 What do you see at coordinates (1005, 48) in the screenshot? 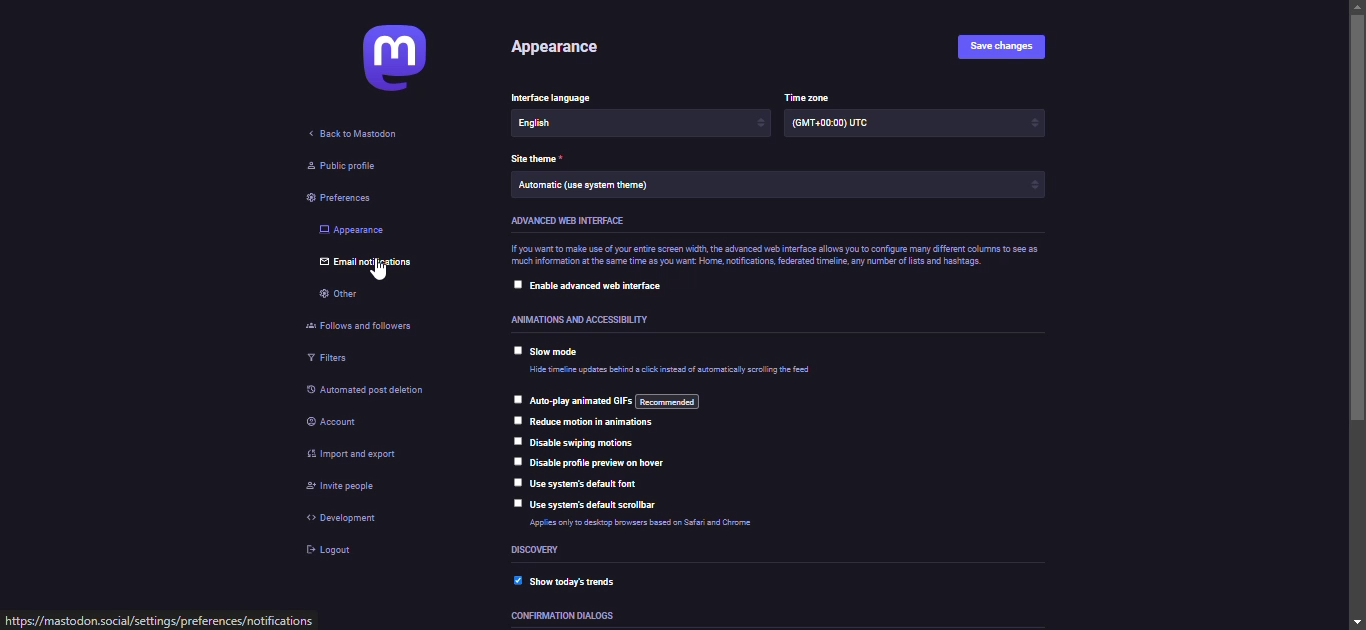
I see `save changes` at bounding box center [1005, 48].